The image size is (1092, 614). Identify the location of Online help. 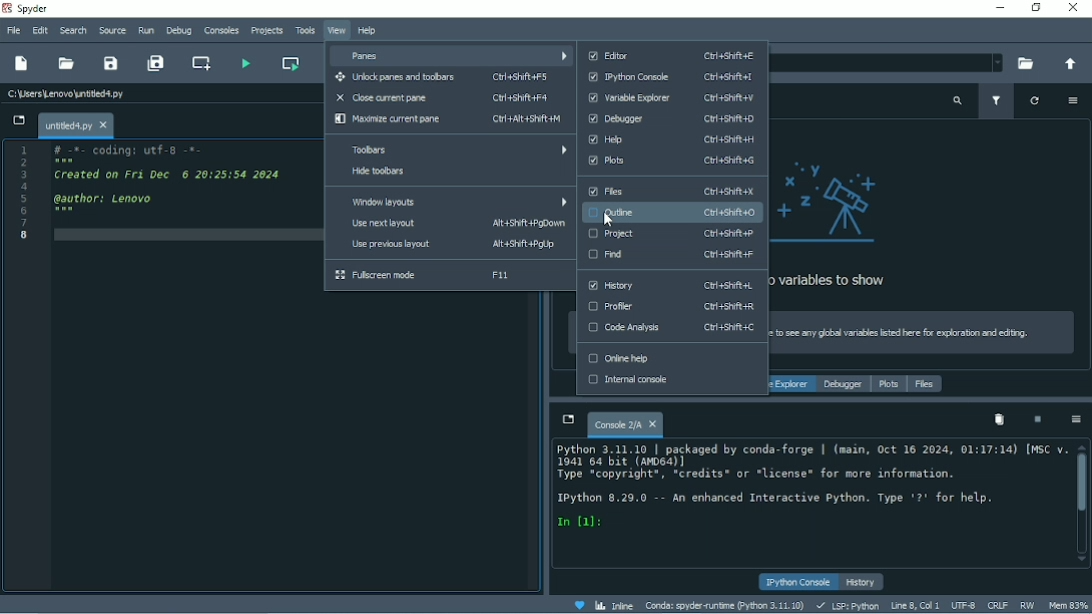
(671, 359).